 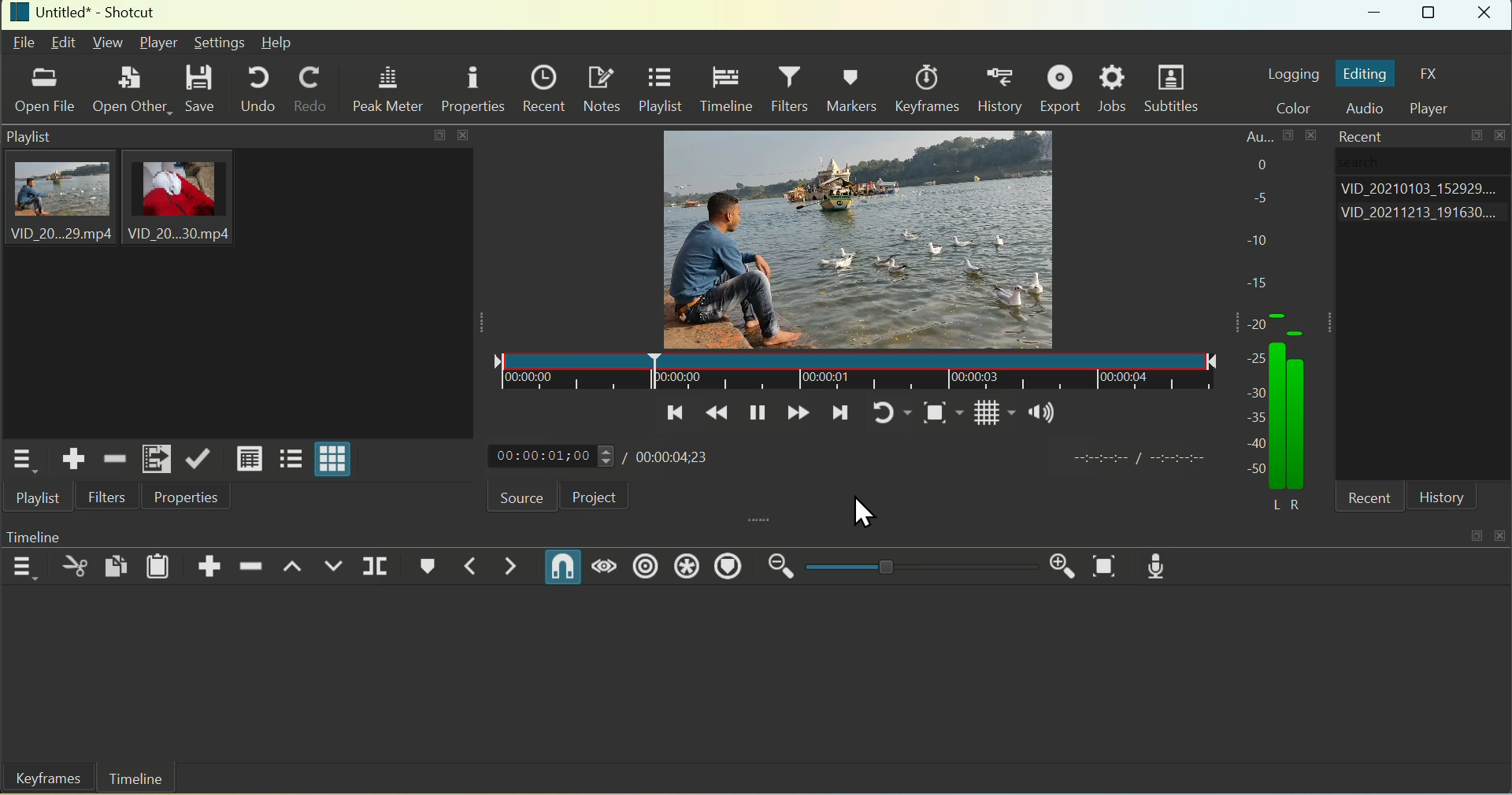 What do you see at coordinates (24, 566) in the screenshot?
I see `Timeline Menu` at bounding box center [24, 566].